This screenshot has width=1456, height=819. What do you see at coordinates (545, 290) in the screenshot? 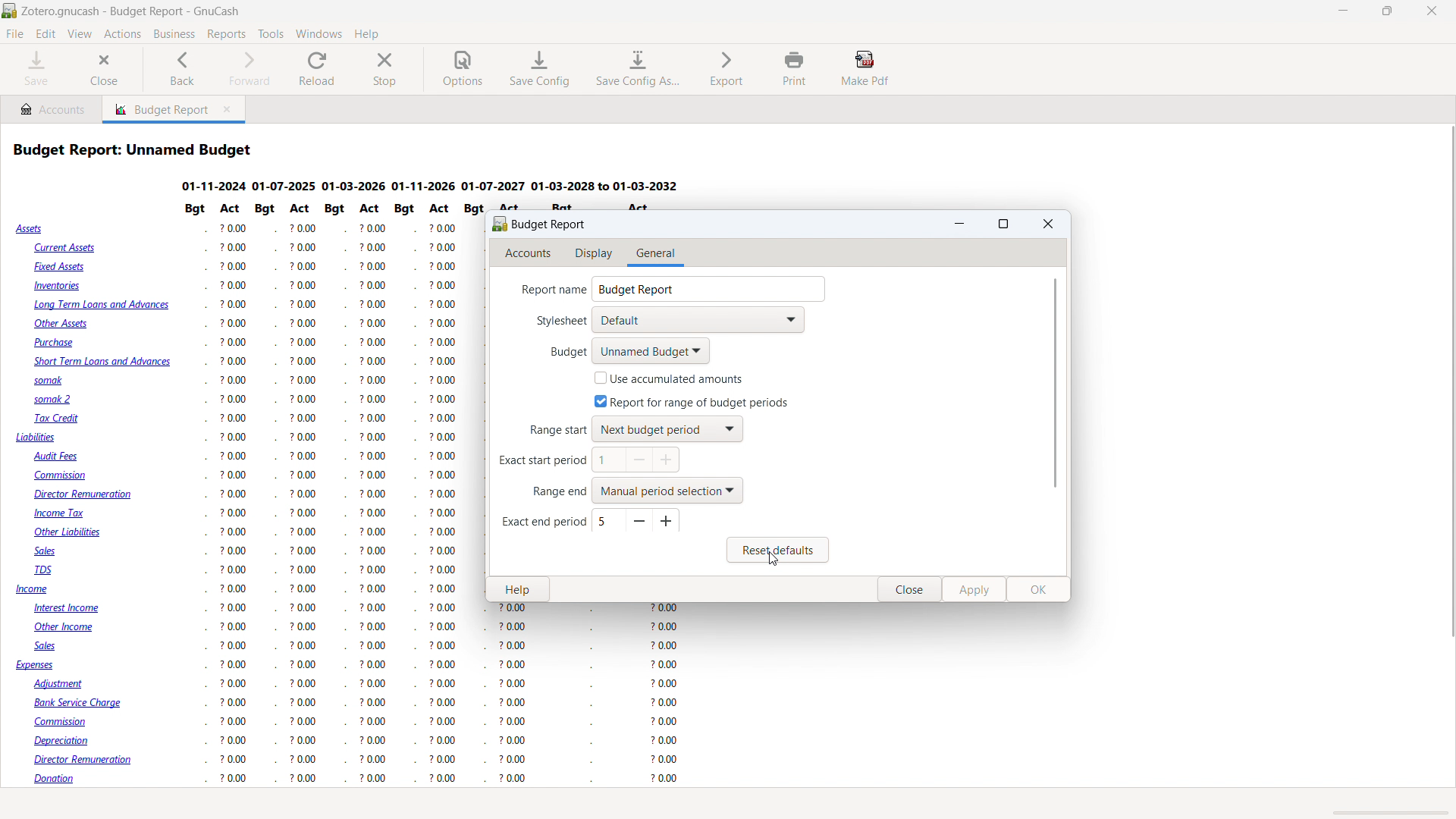
I see `Report name` at bounding box center [545, 290].